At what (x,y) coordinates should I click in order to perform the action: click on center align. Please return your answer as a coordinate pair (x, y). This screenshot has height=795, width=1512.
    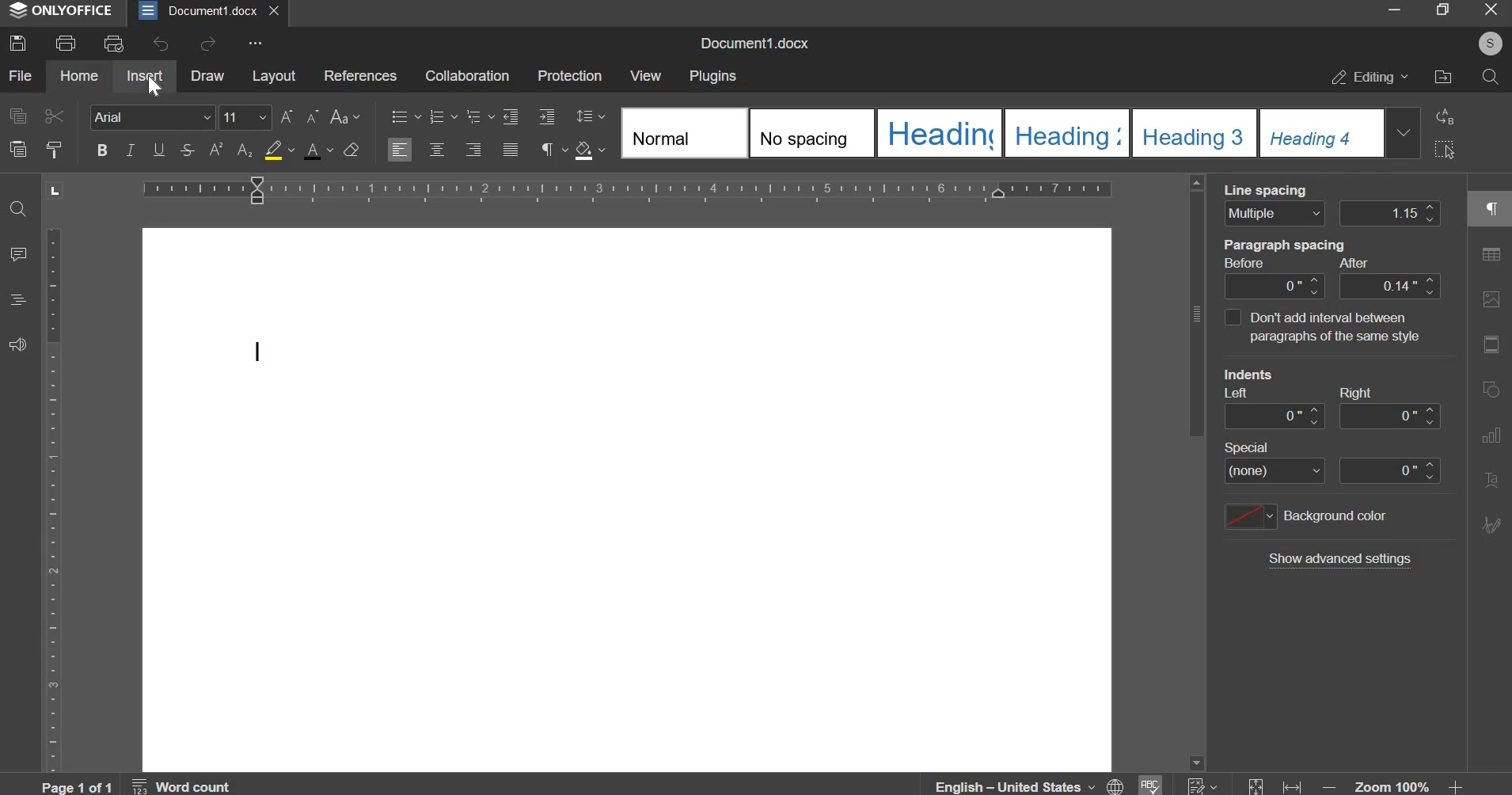
    Looking at the image, I should click on (437, 150).